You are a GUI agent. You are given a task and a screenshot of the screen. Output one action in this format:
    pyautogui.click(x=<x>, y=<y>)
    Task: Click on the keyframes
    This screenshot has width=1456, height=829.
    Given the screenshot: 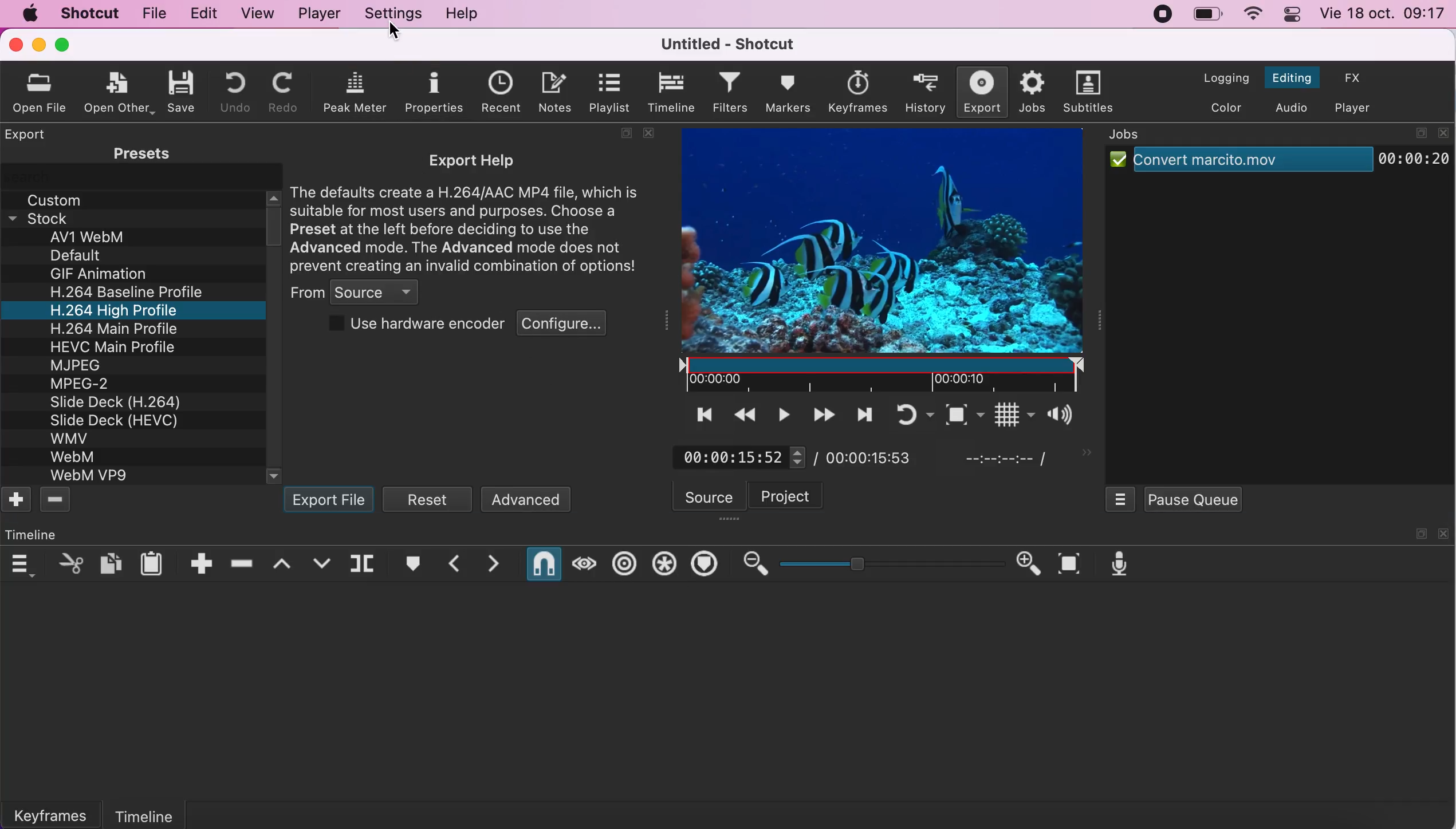 What is the action you would take?
    pyautogui.click(x=858, y=90)
    